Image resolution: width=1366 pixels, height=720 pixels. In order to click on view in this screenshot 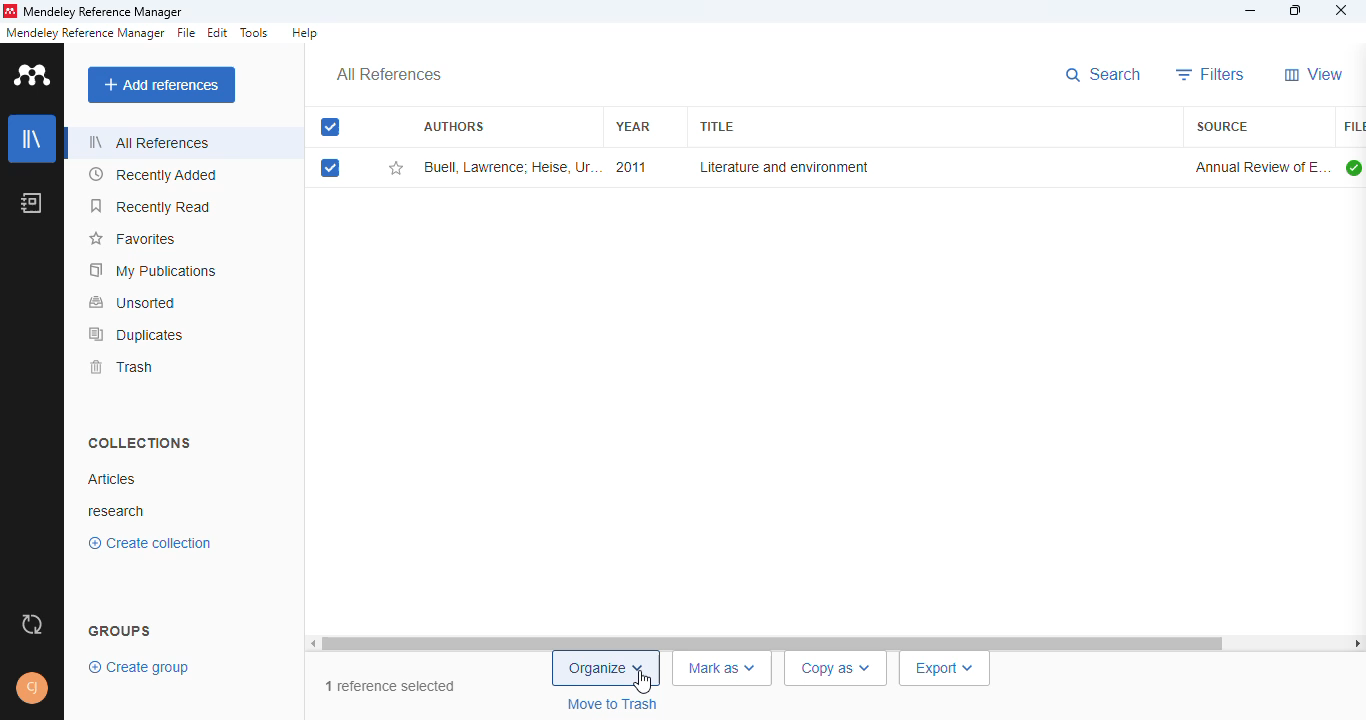, I will do `click(1315, 74)`.